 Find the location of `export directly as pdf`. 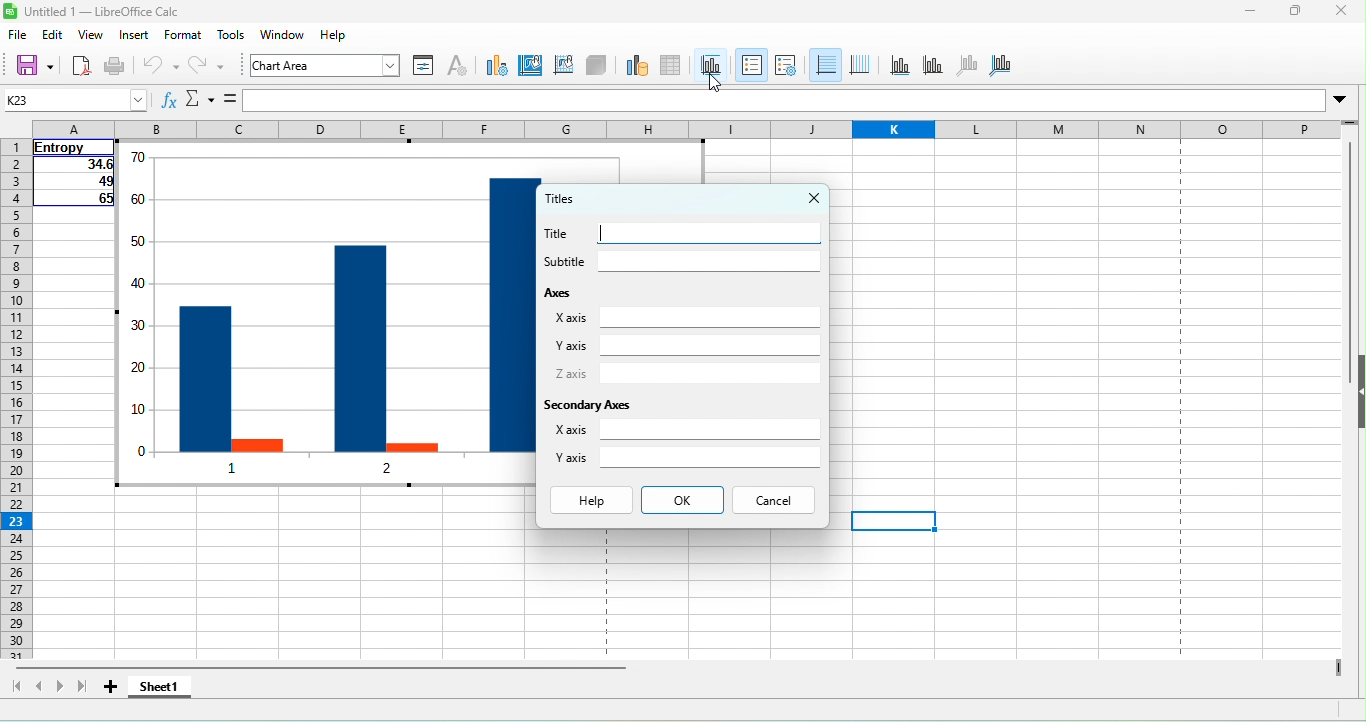

export directly as pdf is located at coordinates (82, 65).